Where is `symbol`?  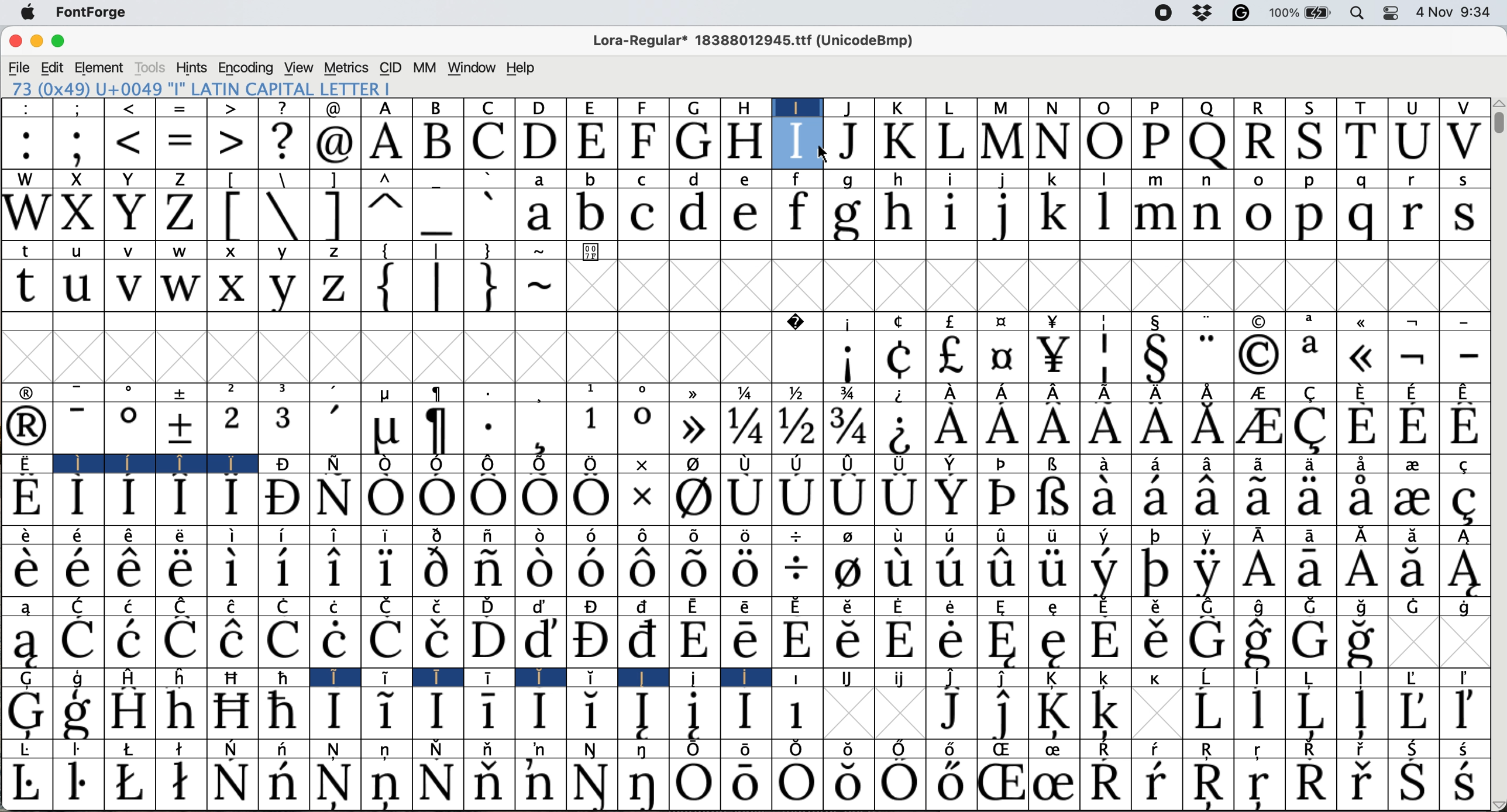 symbol is located at coordinates (1365, 321).